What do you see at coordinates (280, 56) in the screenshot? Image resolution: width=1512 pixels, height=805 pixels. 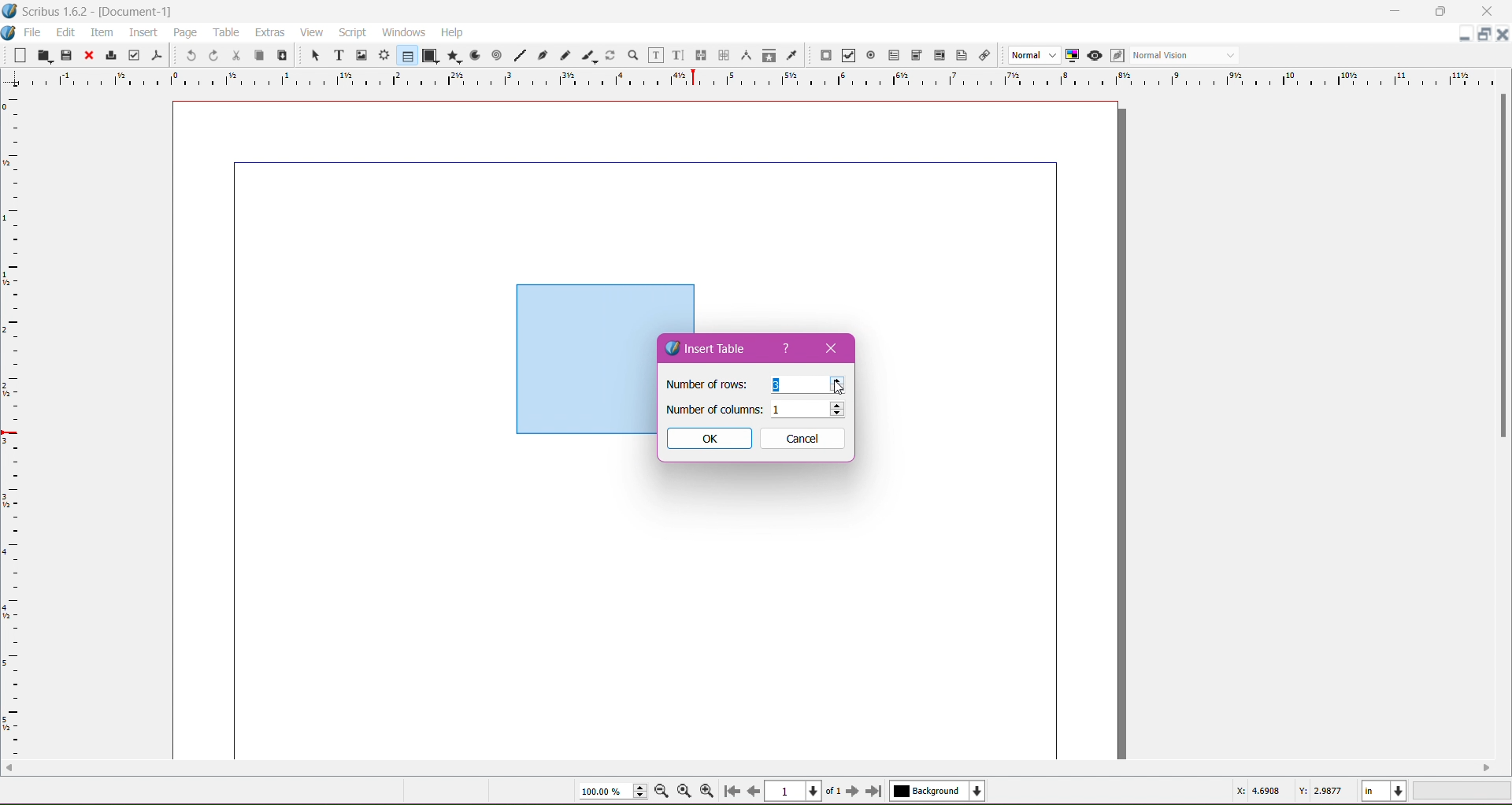 I see `Paste` at bounding box center [280, 56].